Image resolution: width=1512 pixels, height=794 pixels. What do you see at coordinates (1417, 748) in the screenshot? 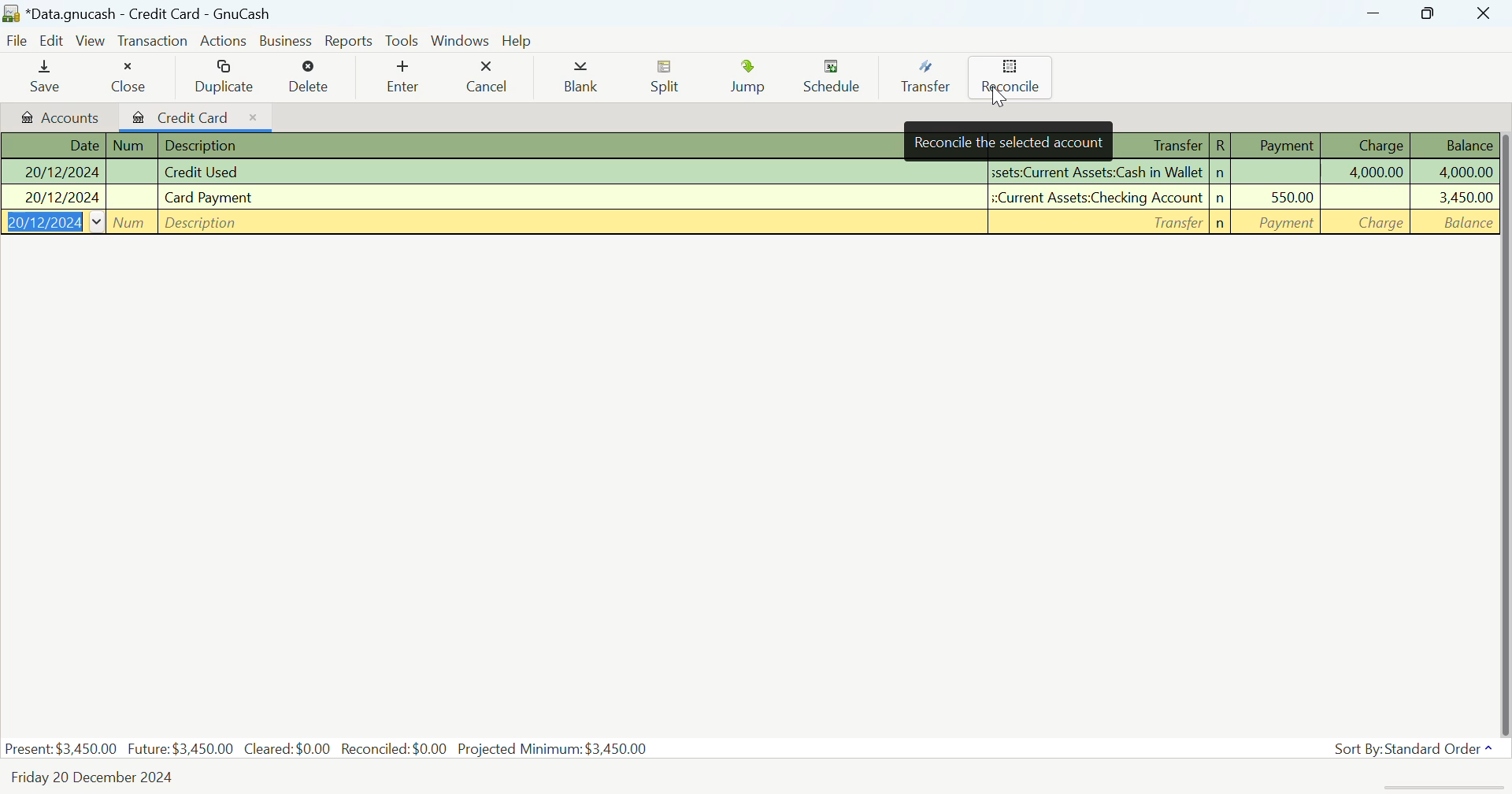
I see `Sort By: Standard Order` at bounding box center [1417, 748].